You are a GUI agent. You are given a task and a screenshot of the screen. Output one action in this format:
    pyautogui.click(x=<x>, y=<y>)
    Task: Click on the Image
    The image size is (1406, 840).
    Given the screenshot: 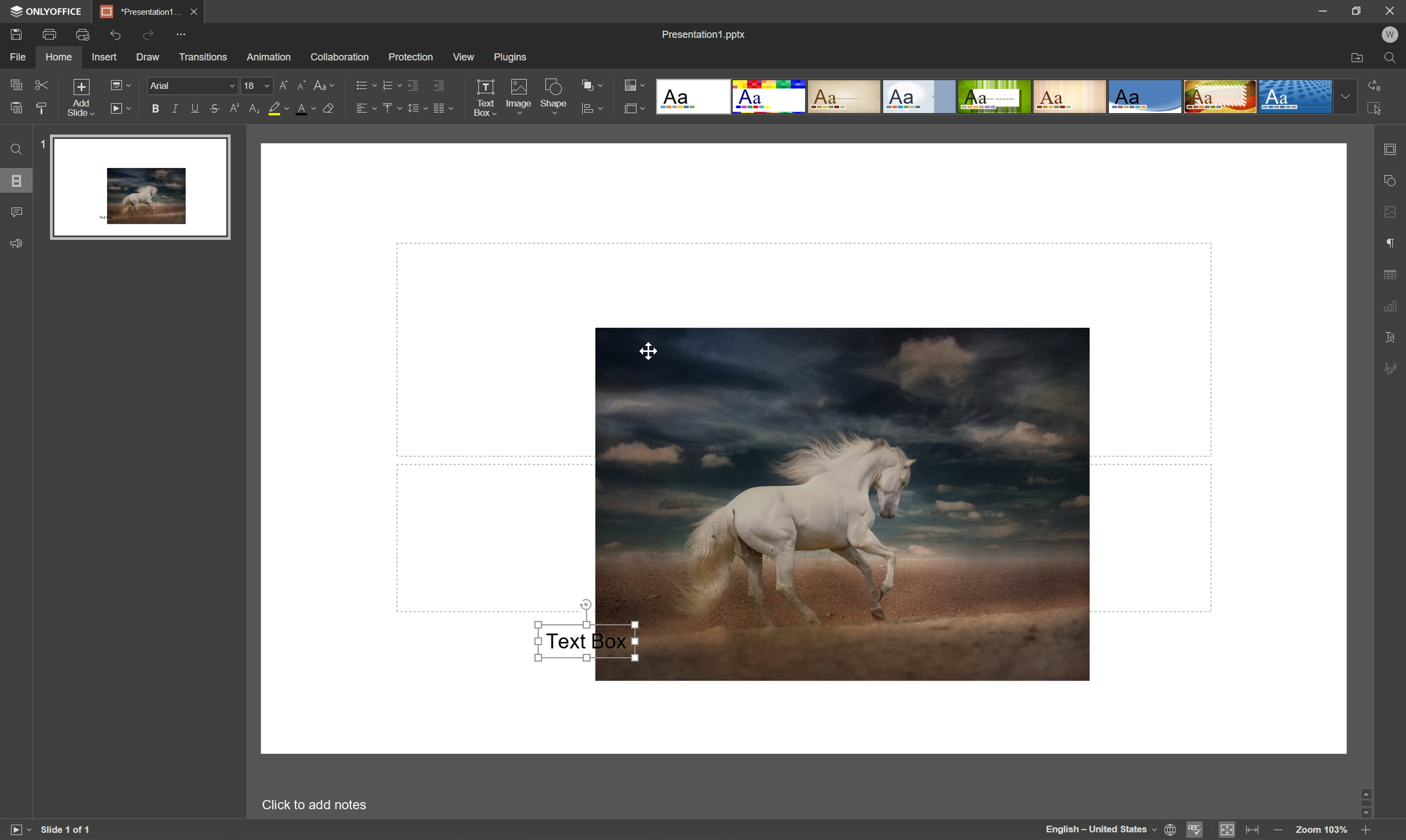 What is the action you would take?
    pyautogui.click(x=518, y=96)
    